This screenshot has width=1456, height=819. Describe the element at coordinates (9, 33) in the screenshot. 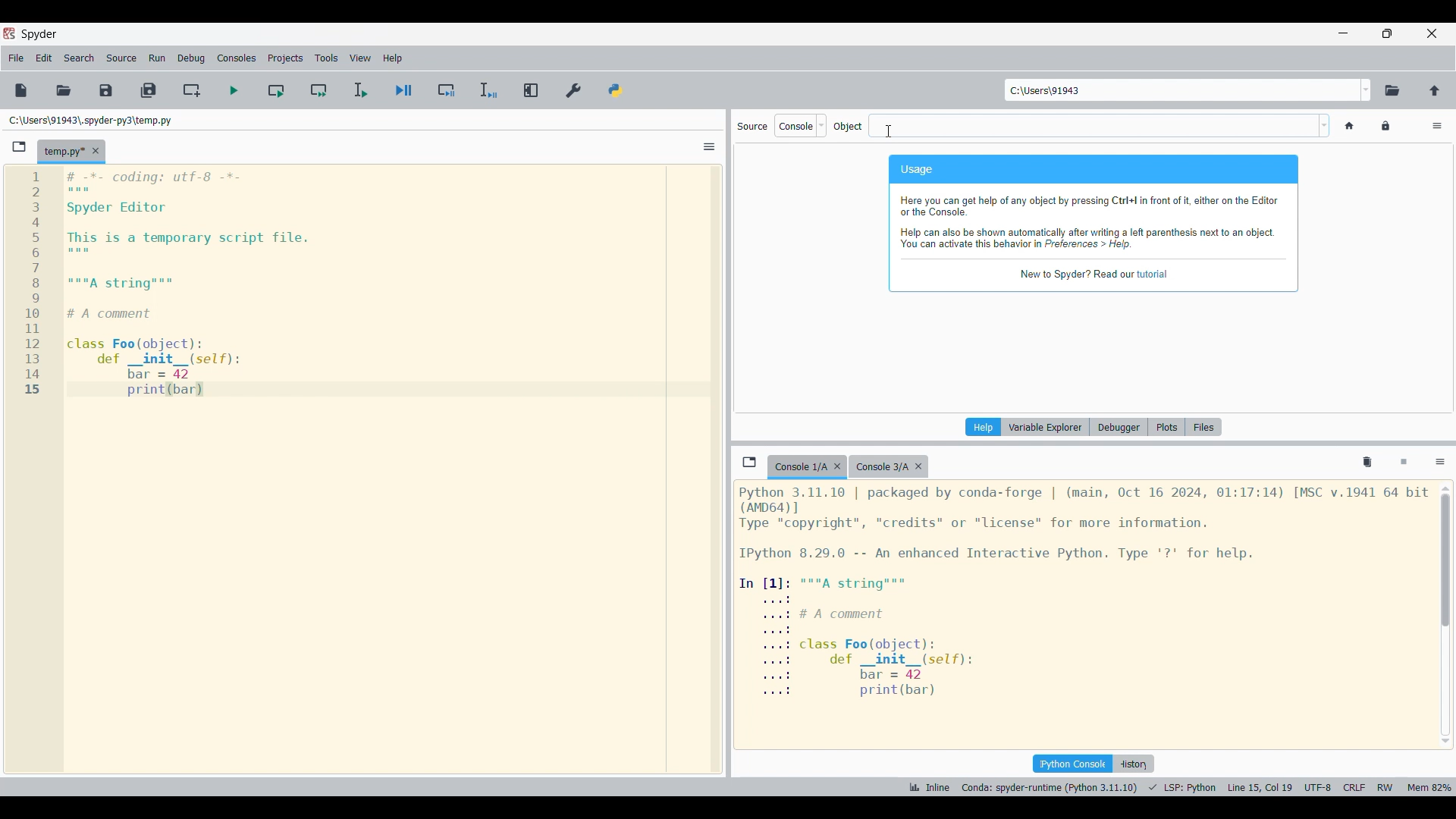

I see `Software logo` at that location.